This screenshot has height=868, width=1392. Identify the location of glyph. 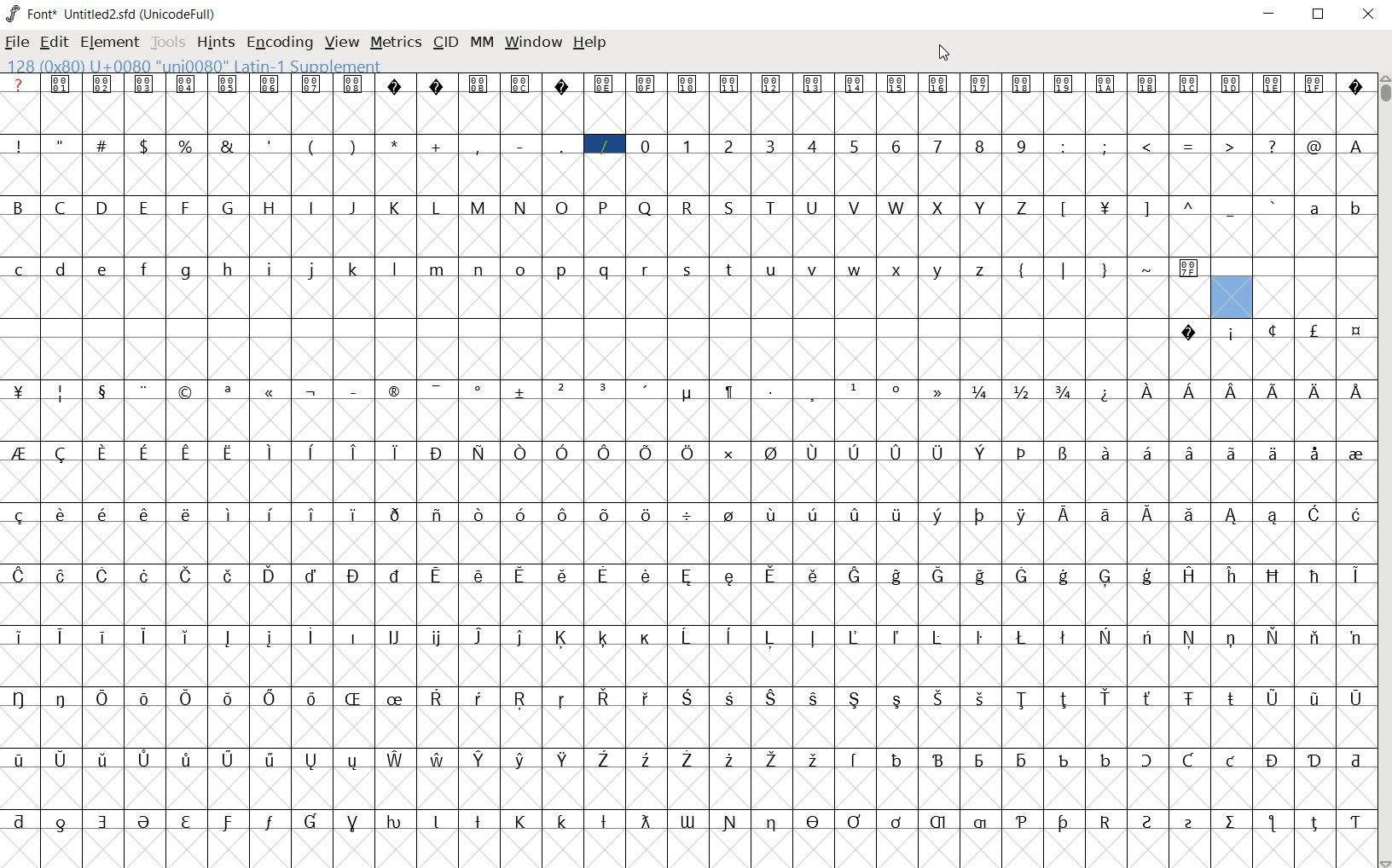
(185, 207).